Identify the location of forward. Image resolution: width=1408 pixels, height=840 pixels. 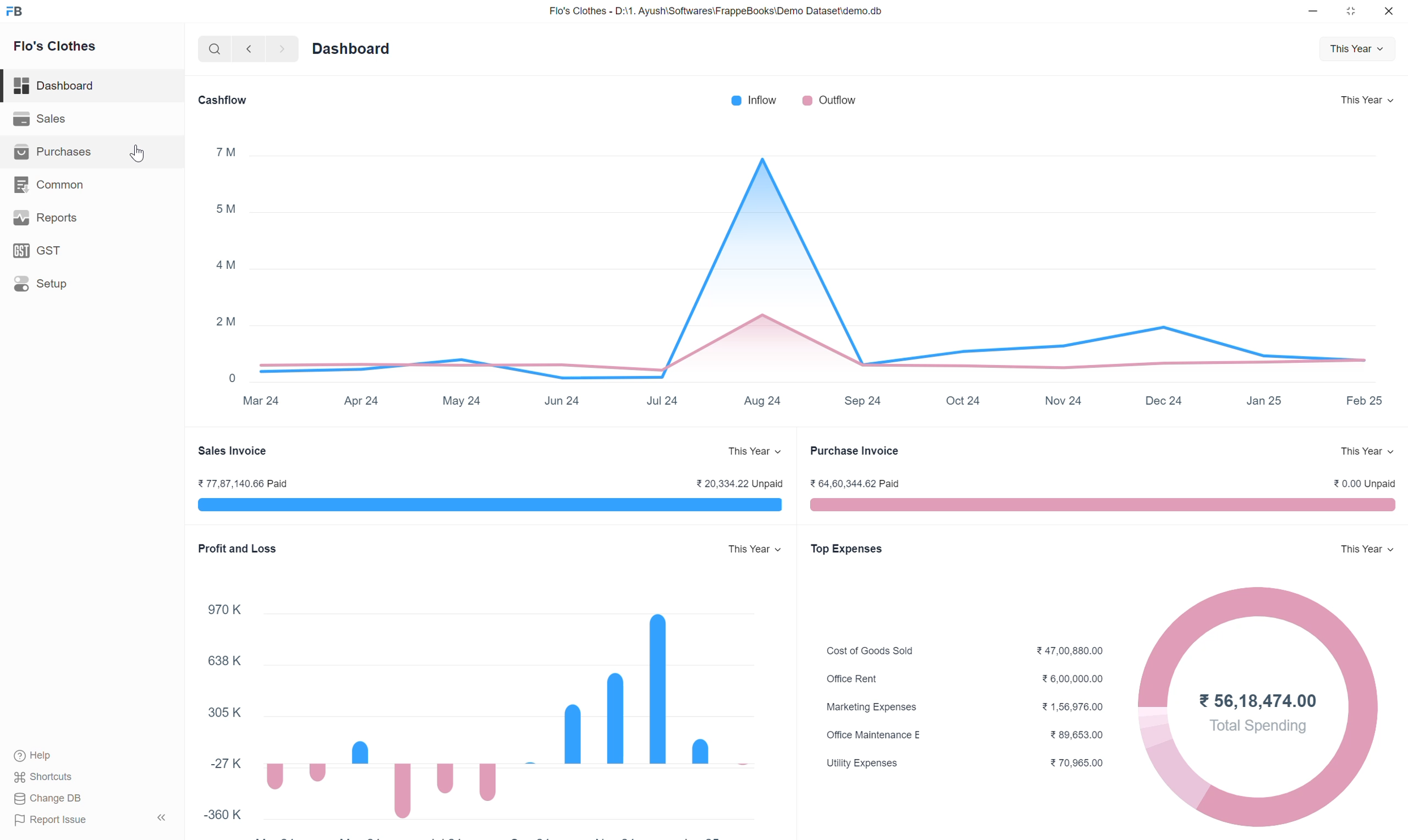
(283, 49).